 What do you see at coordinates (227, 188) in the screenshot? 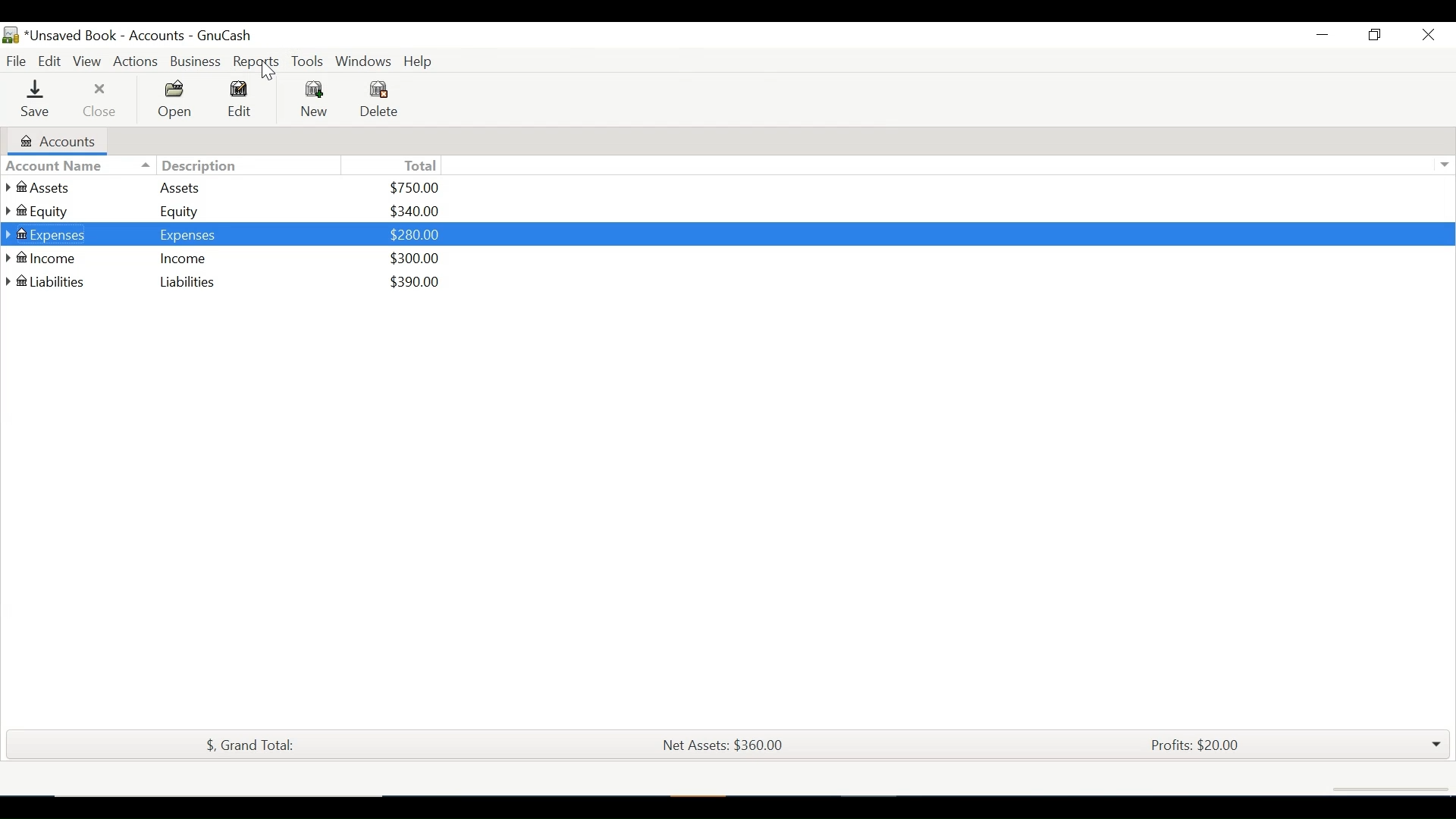
I see `Assets Assets $750.00` at bounding box center [227, 188].